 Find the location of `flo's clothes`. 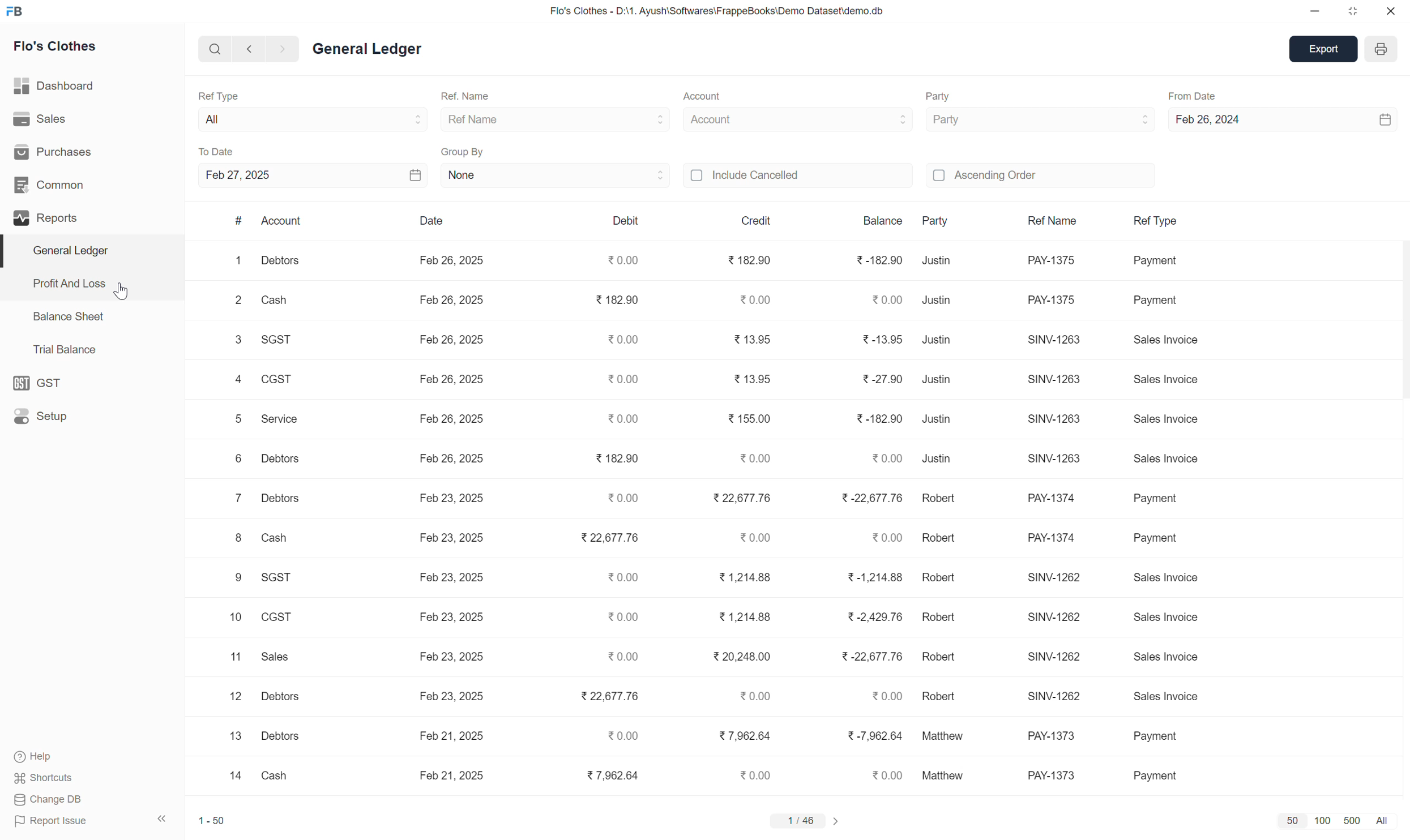

flo's clothes is located at coordinates (53, 46).